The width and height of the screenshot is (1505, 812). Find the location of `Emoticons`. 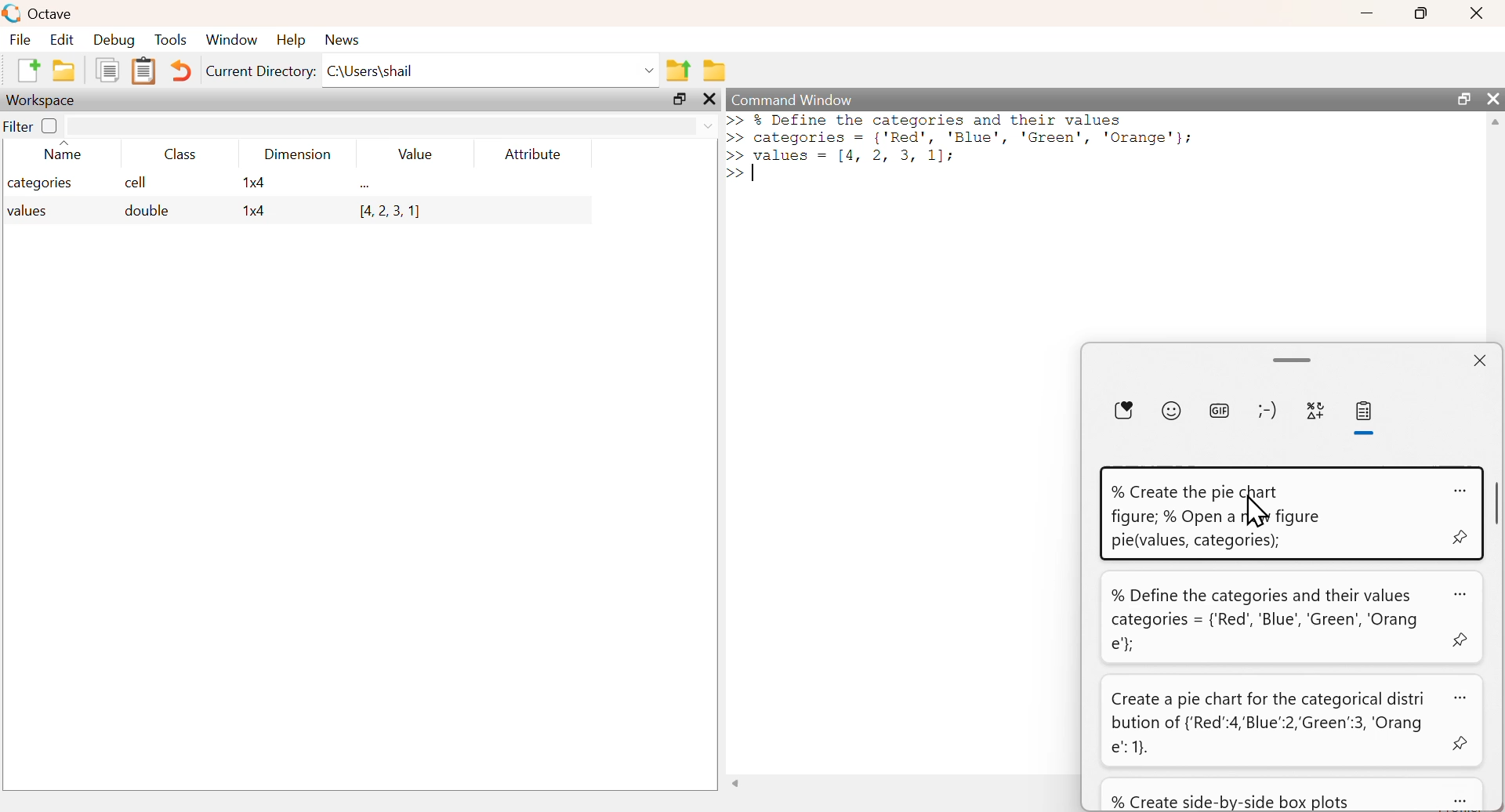

Emoticons is located at coordinates (1267, 410).